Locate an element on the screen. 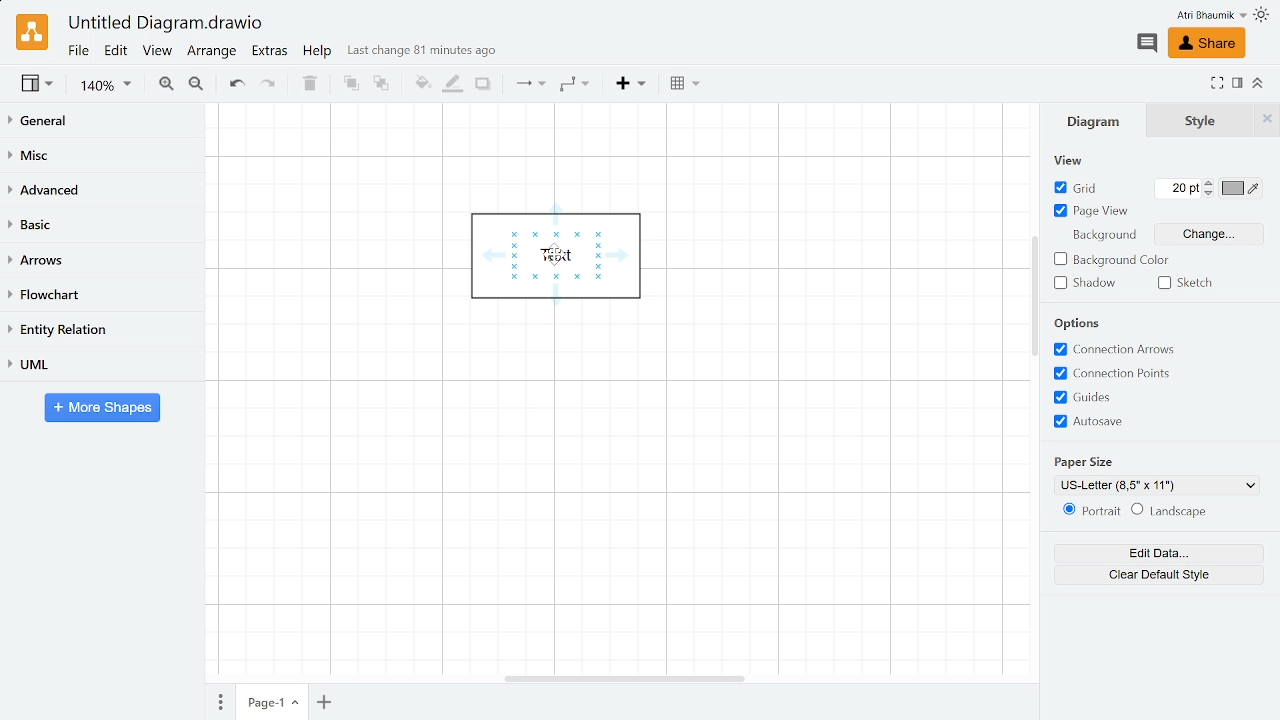  Fill line is located at coordinates (453, 82).